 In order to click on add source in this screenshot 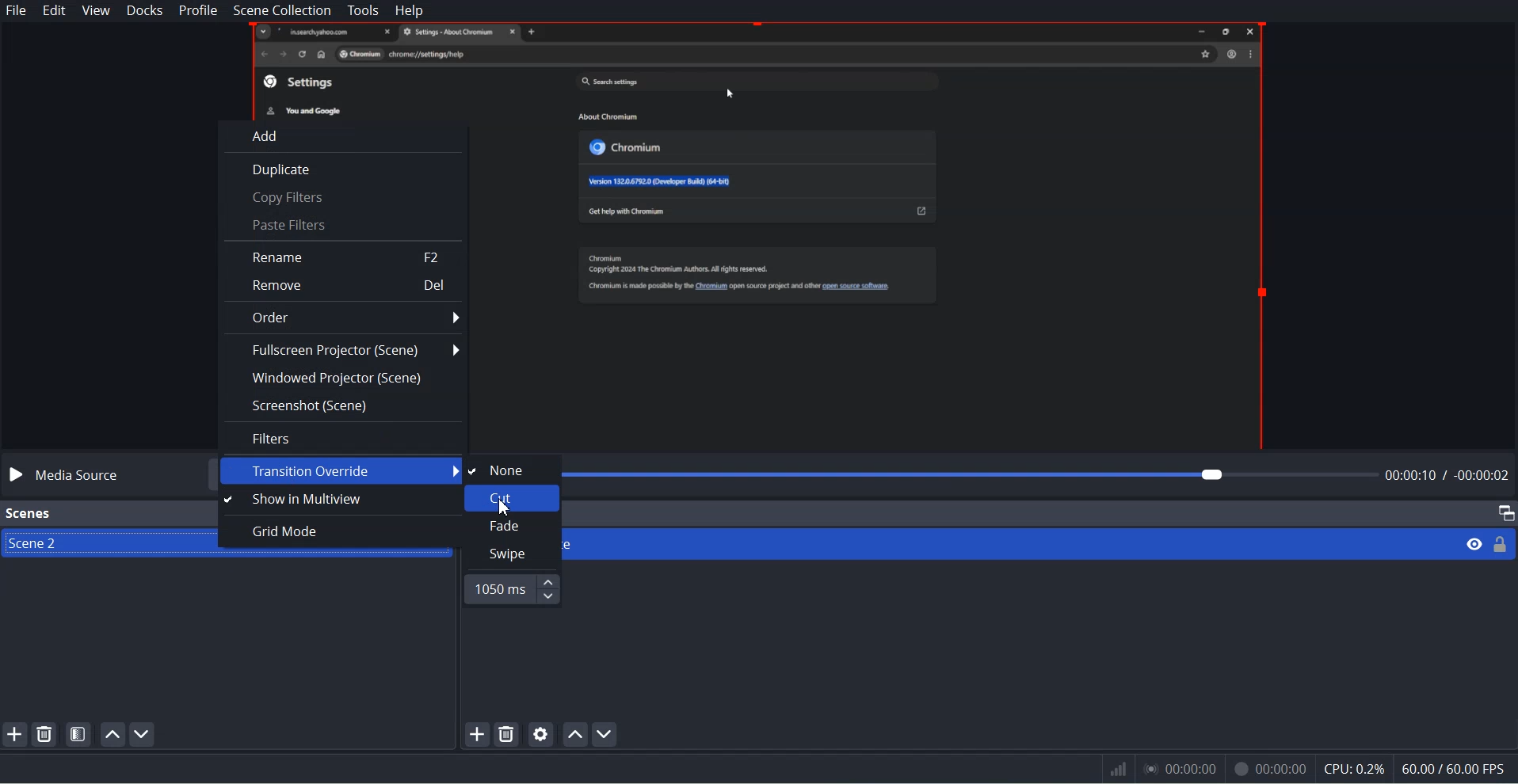, I will do `click(476, 734)`.